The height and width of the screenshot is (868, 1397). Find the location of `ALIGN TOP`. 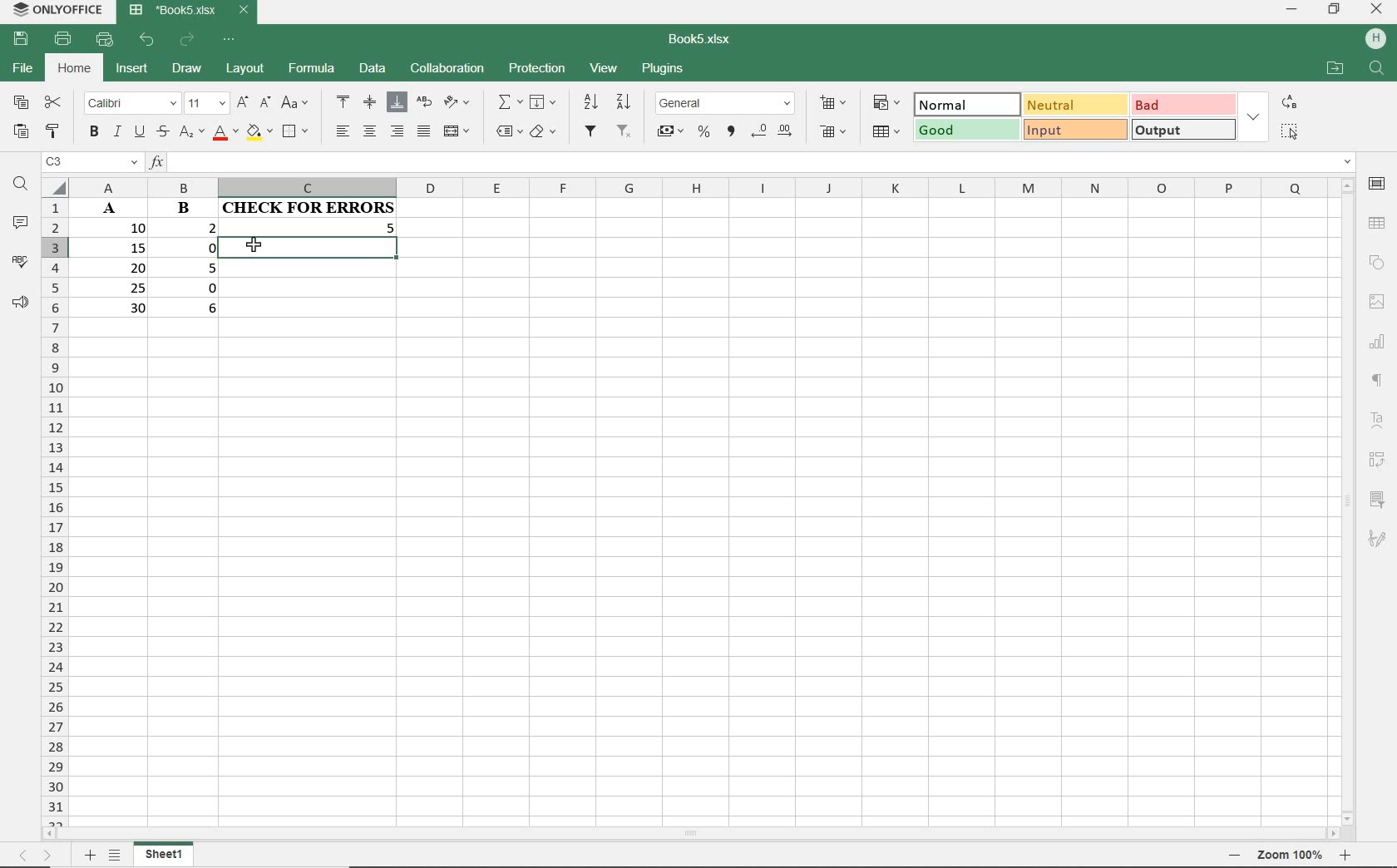

ALIGN TOP is located at coordinates (343, 101).